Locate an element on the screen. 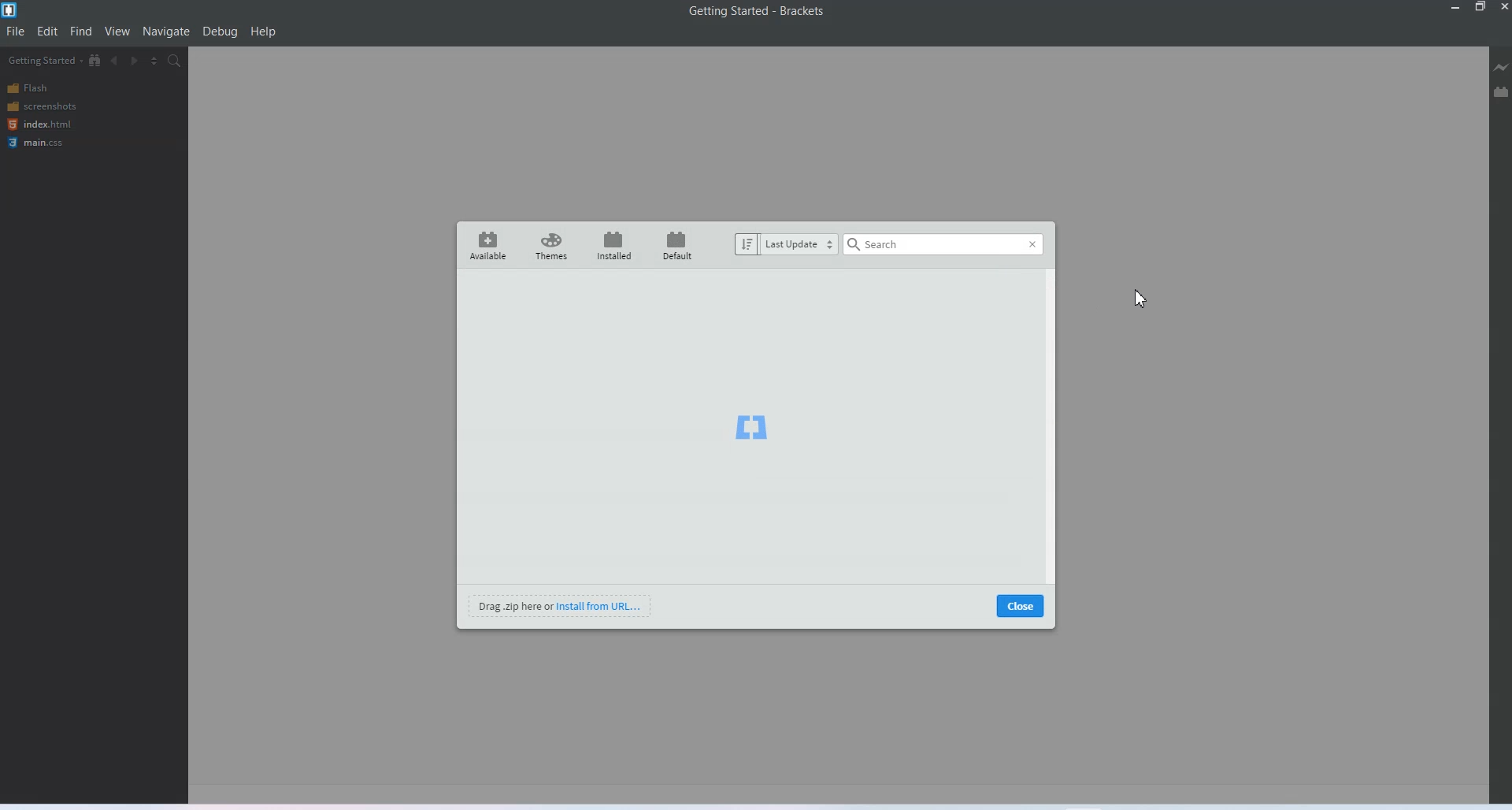 Image resolution: width=1512 pixels, height=810 pixels. Theme is located at coordinates (551, 245).